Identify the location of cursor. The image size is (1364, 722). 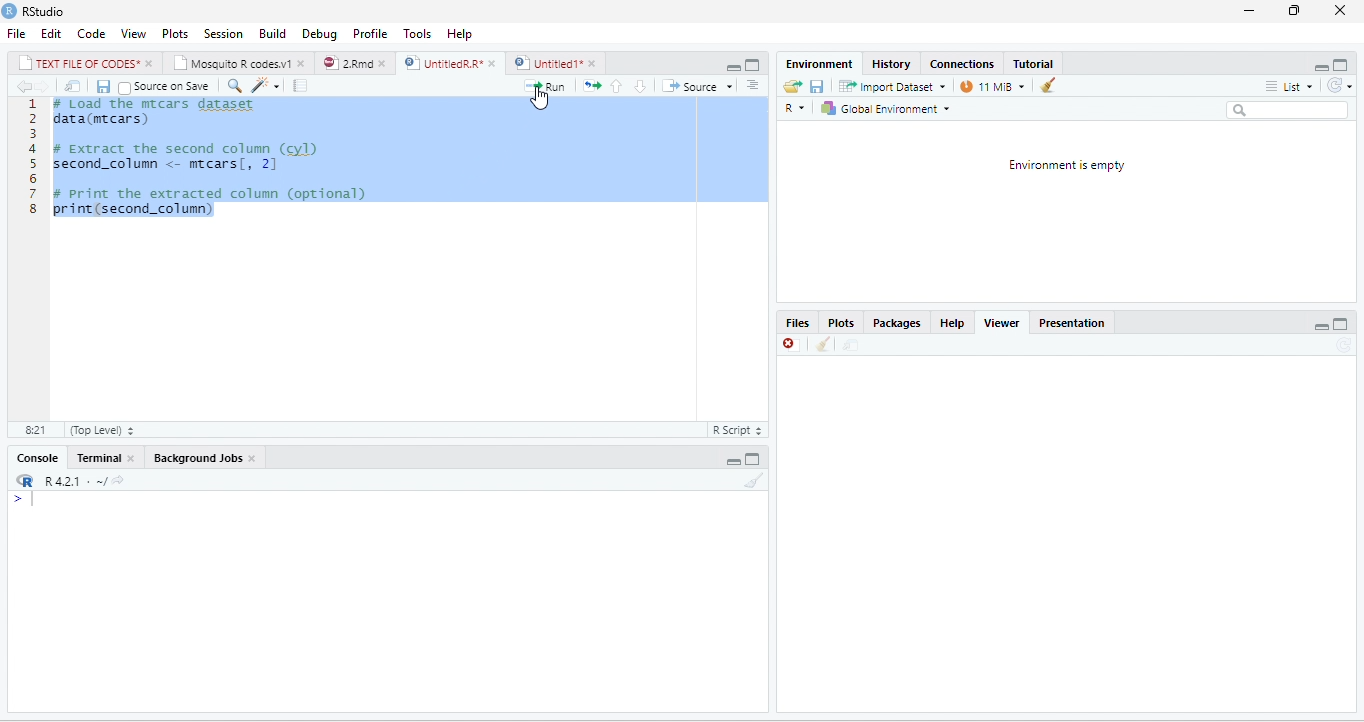
(539, 97).